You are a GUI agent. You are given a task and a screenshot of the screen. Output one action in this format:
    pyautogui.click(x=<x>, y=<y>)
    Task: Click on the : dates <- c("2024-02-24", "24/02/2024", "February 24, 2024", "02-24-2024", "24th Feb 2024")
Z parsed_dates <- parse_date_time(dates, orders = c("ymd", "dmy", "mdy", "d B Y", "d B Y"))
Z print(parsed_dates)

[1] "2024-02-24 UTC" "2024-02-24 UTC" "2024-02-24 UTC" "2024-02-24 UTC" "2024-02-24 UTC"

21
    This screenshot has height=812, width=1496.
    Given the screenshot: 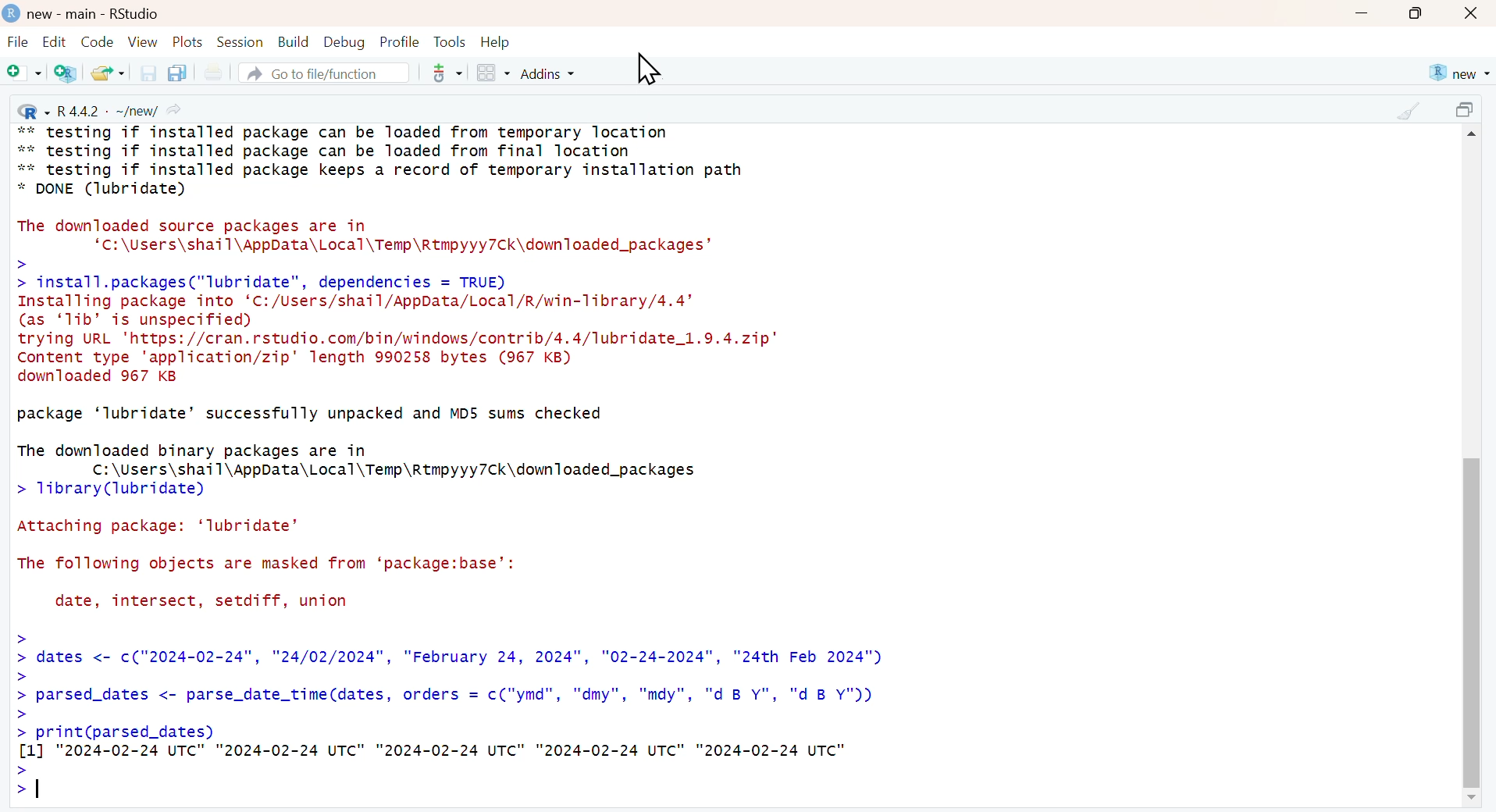 What is the action you would take?
    pyautogui.click(x=453, y=714)
    